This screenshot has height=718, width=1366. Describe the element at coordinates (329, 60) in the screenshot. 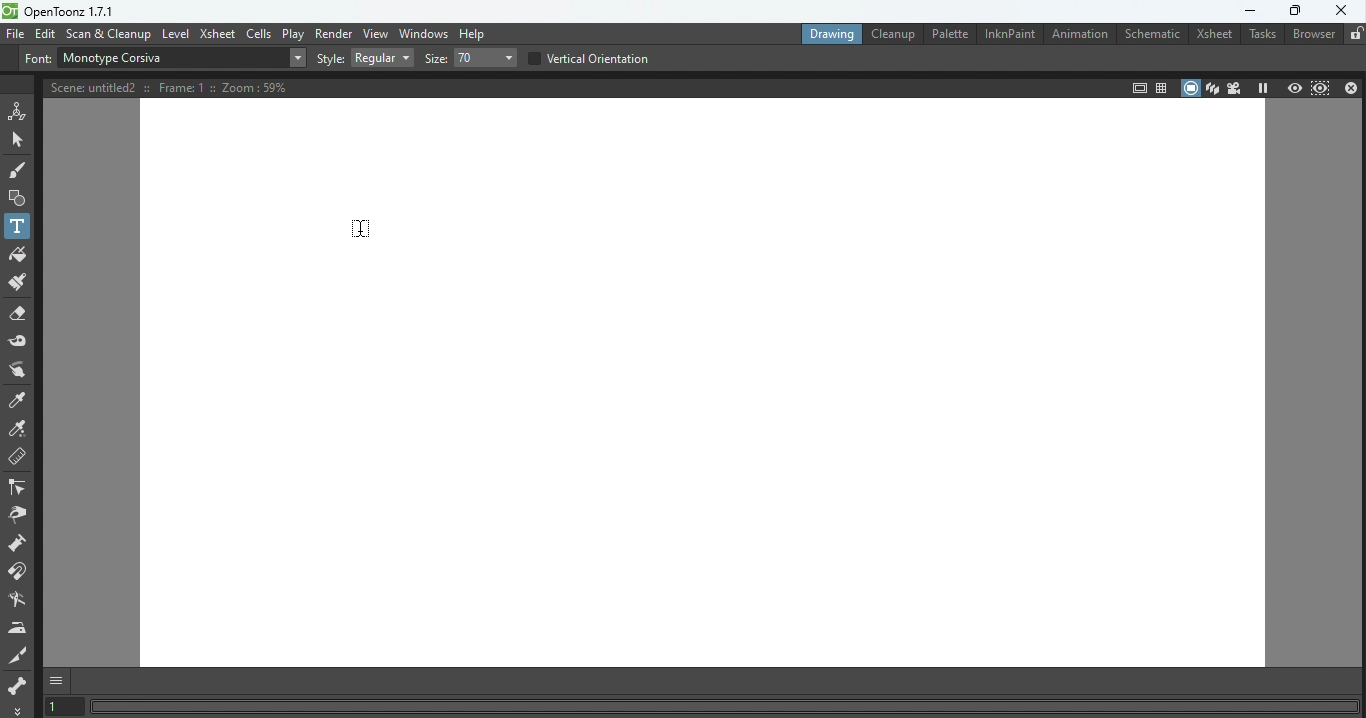

I see `Style` at that location.